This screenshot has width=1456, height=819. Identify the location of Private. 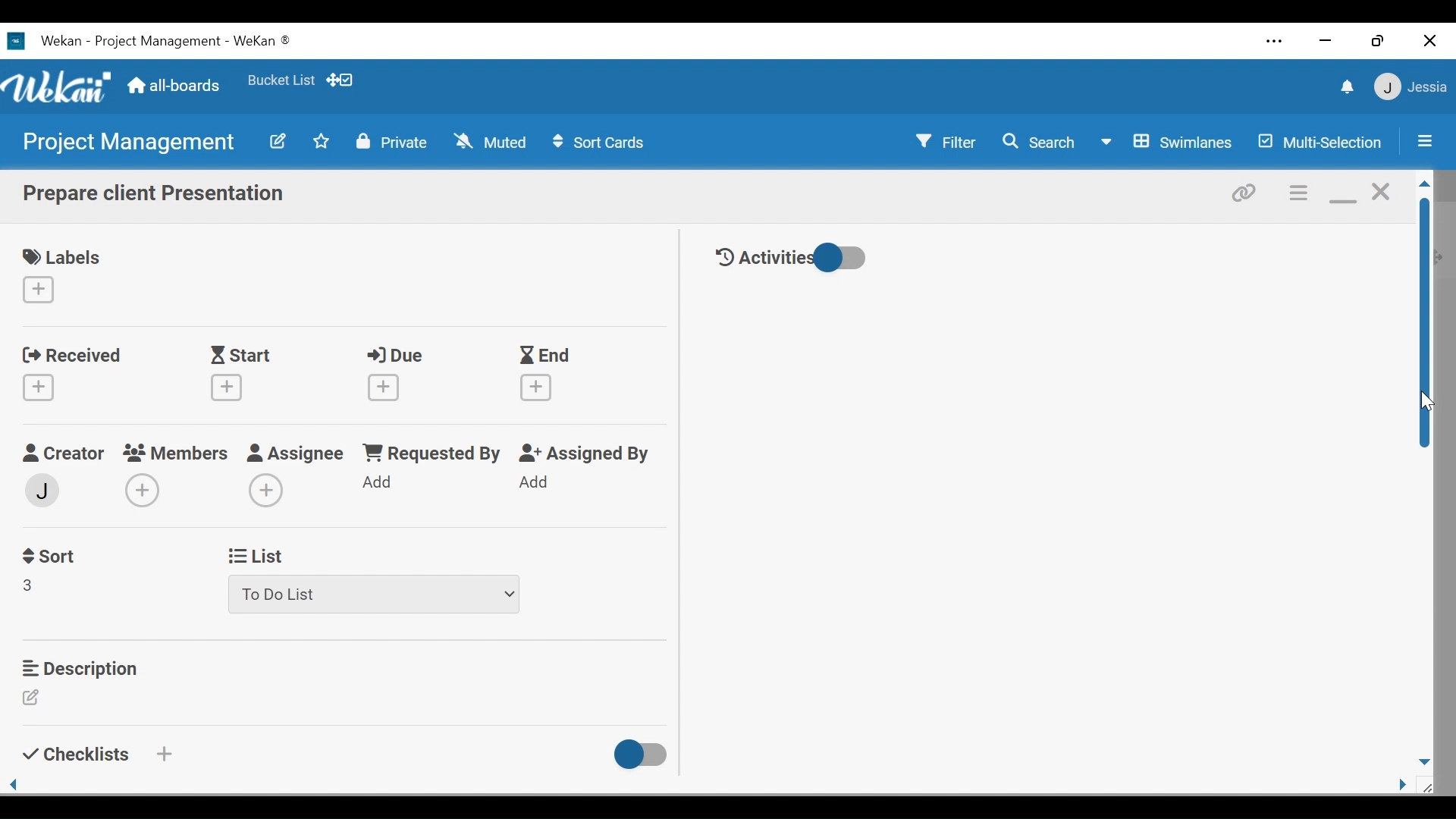
(391, 143).